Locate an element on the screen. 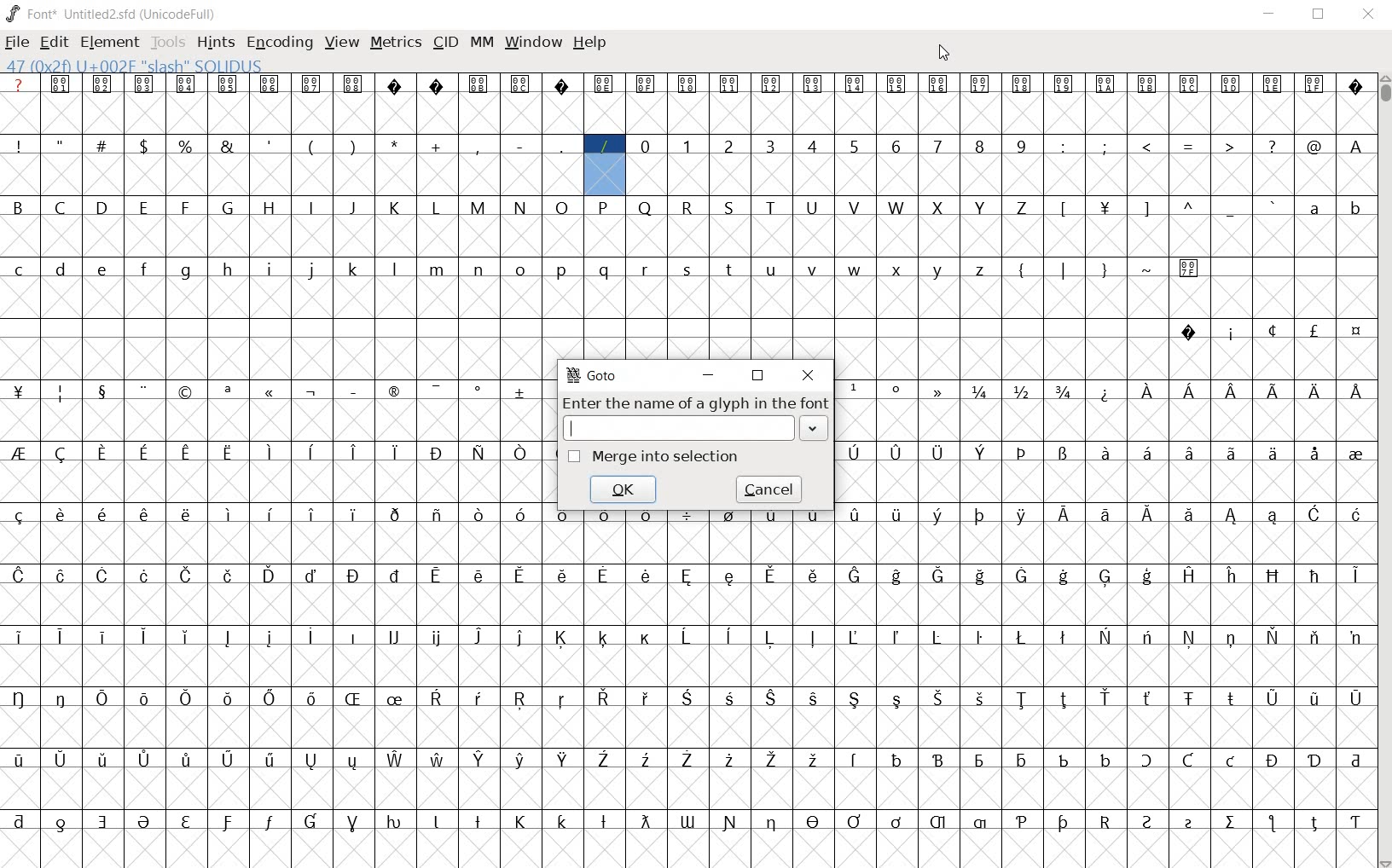 The image size is (1392, 868). glyph is located at coordinates (1356, 89).